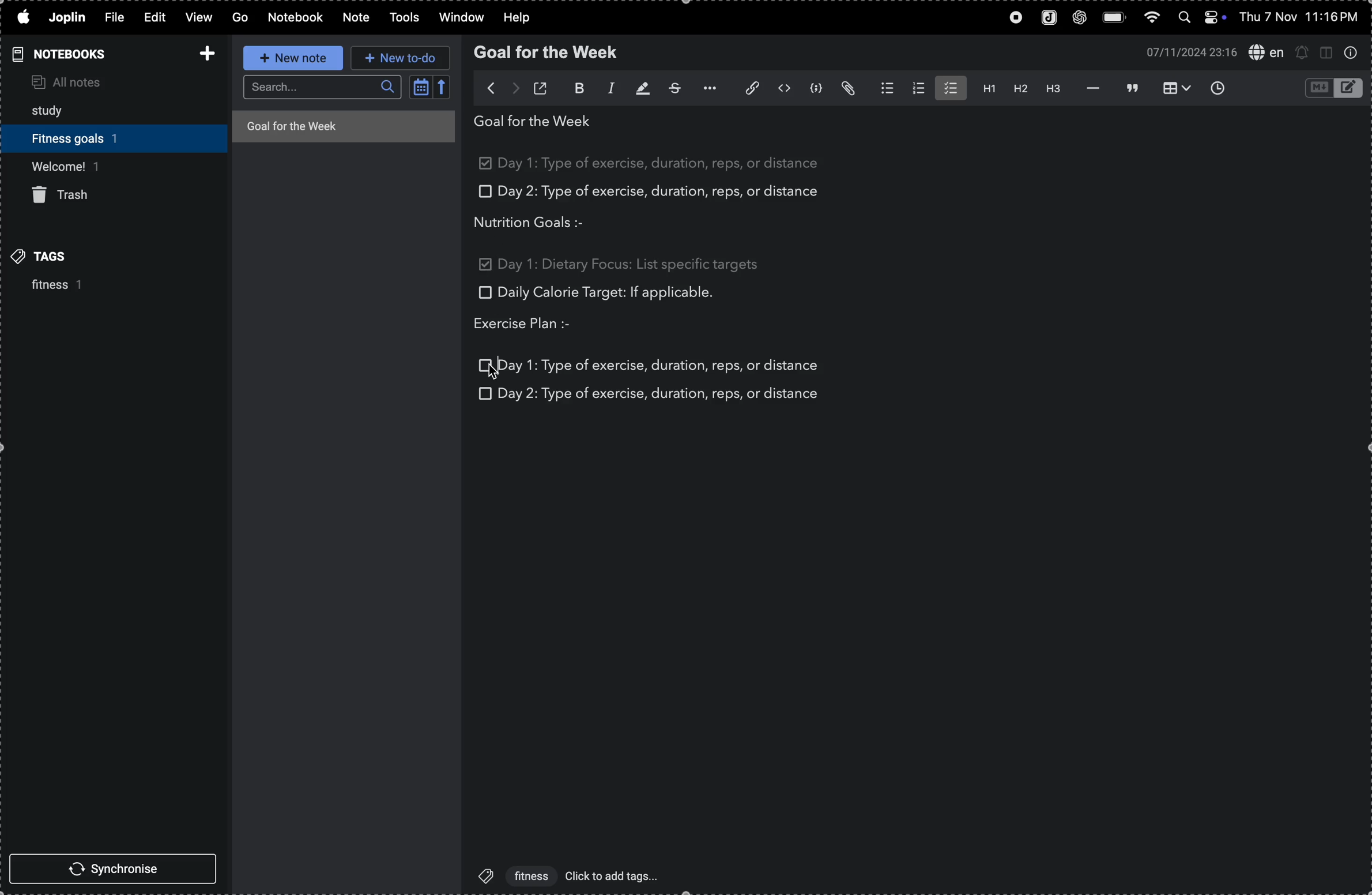 This screenshot has height=895, width=1372. I want to click on chatgpt, so click(1078, 18).